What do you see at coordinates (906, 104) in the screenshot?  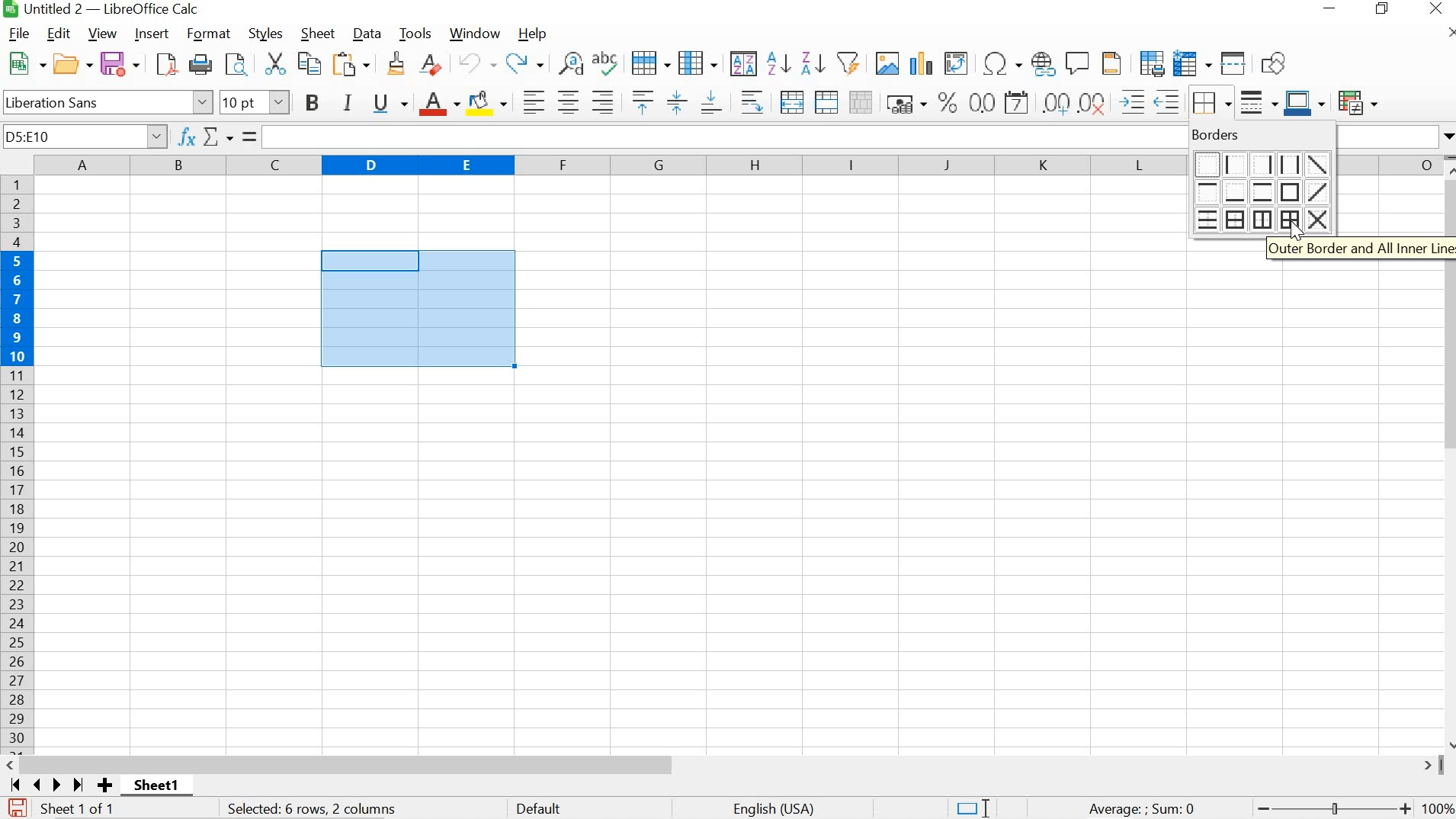 I see `FORMAT AS CURRENCY` at bounding box center [906, 104].